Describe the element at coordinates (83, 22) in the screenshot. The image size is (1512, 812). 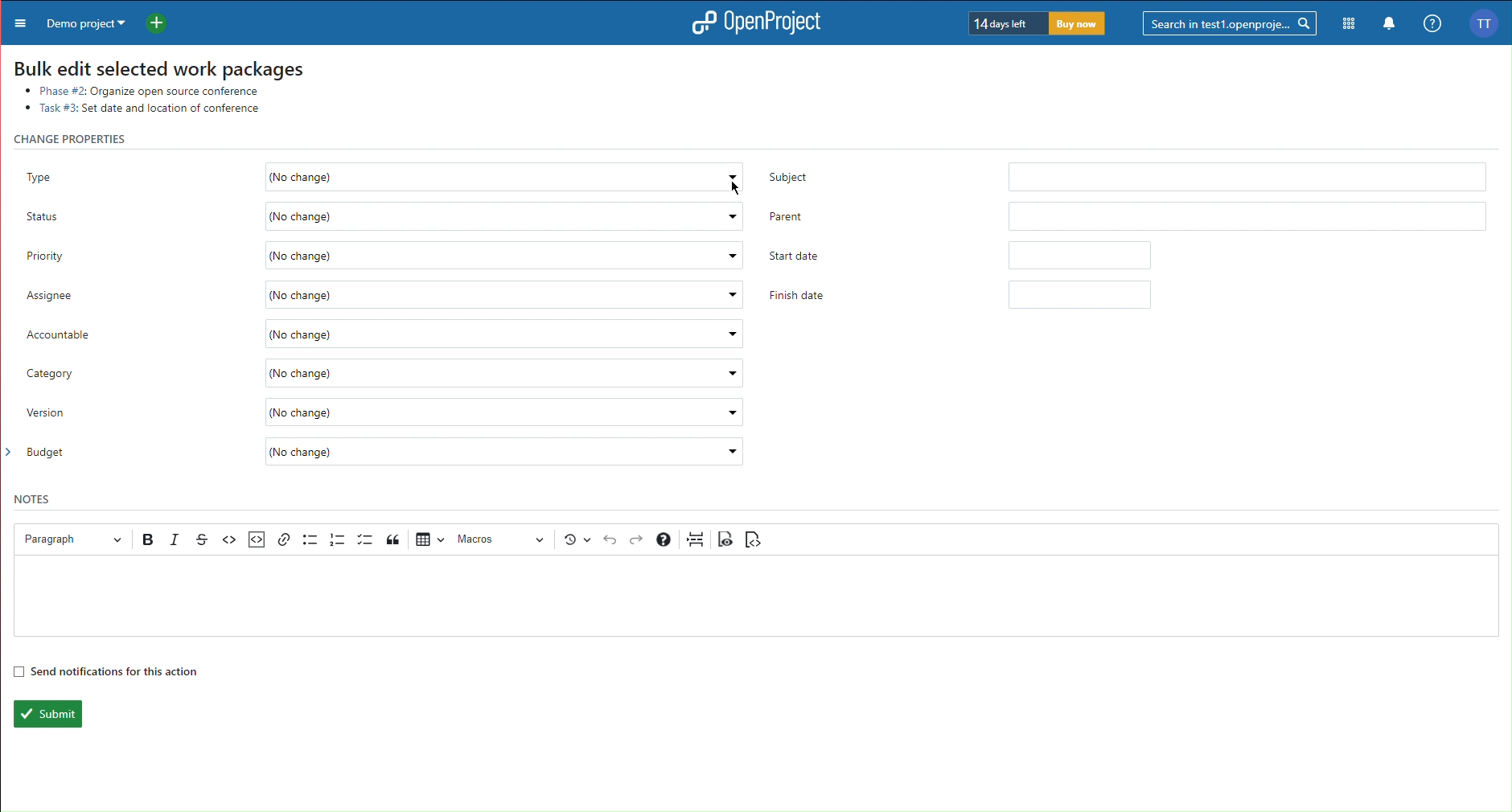
I see `Demo project` at that location.